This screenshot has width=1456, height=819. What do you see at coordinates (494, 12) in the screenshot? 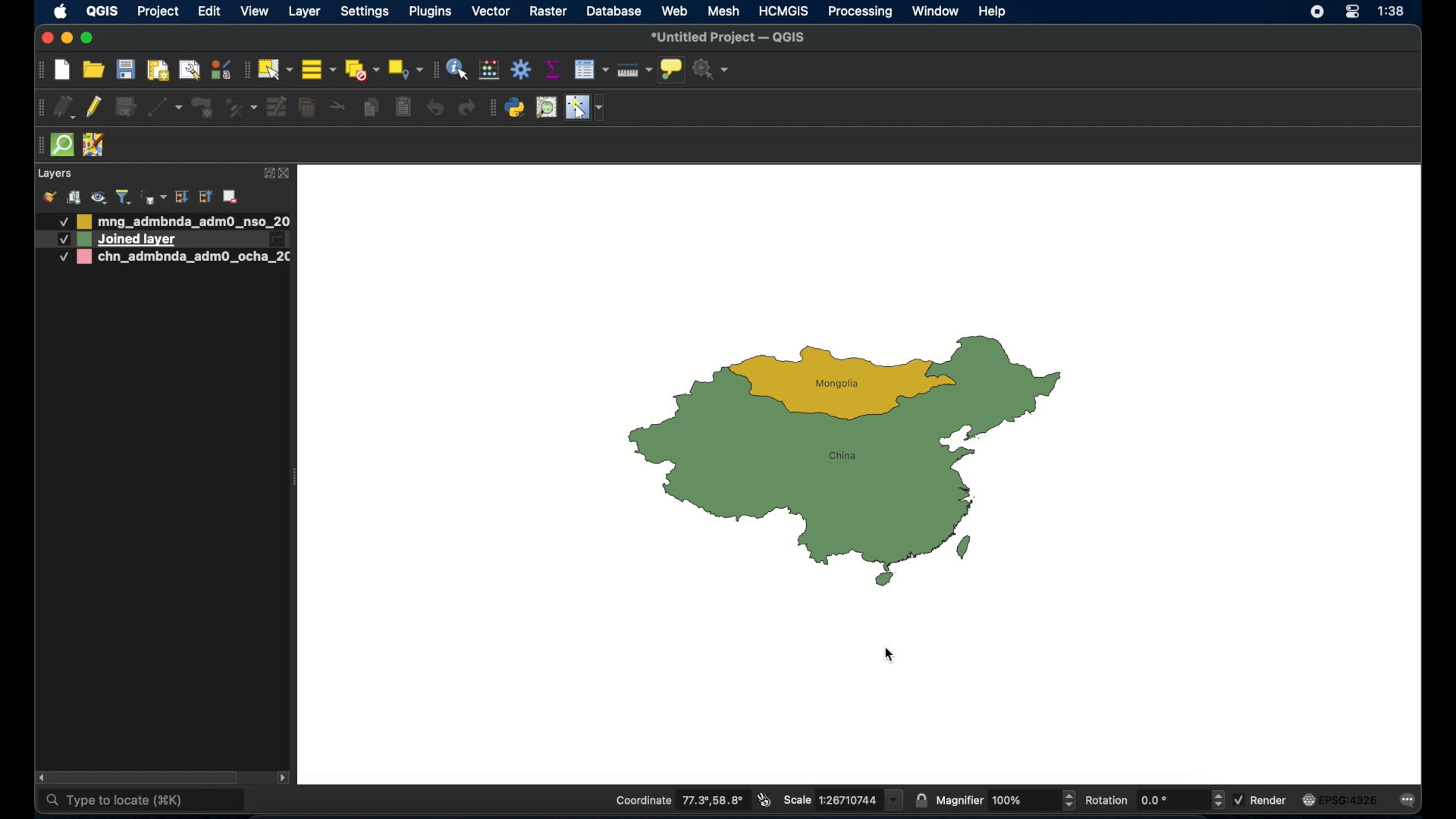
I see `vector` at bounding box center [494, 12].